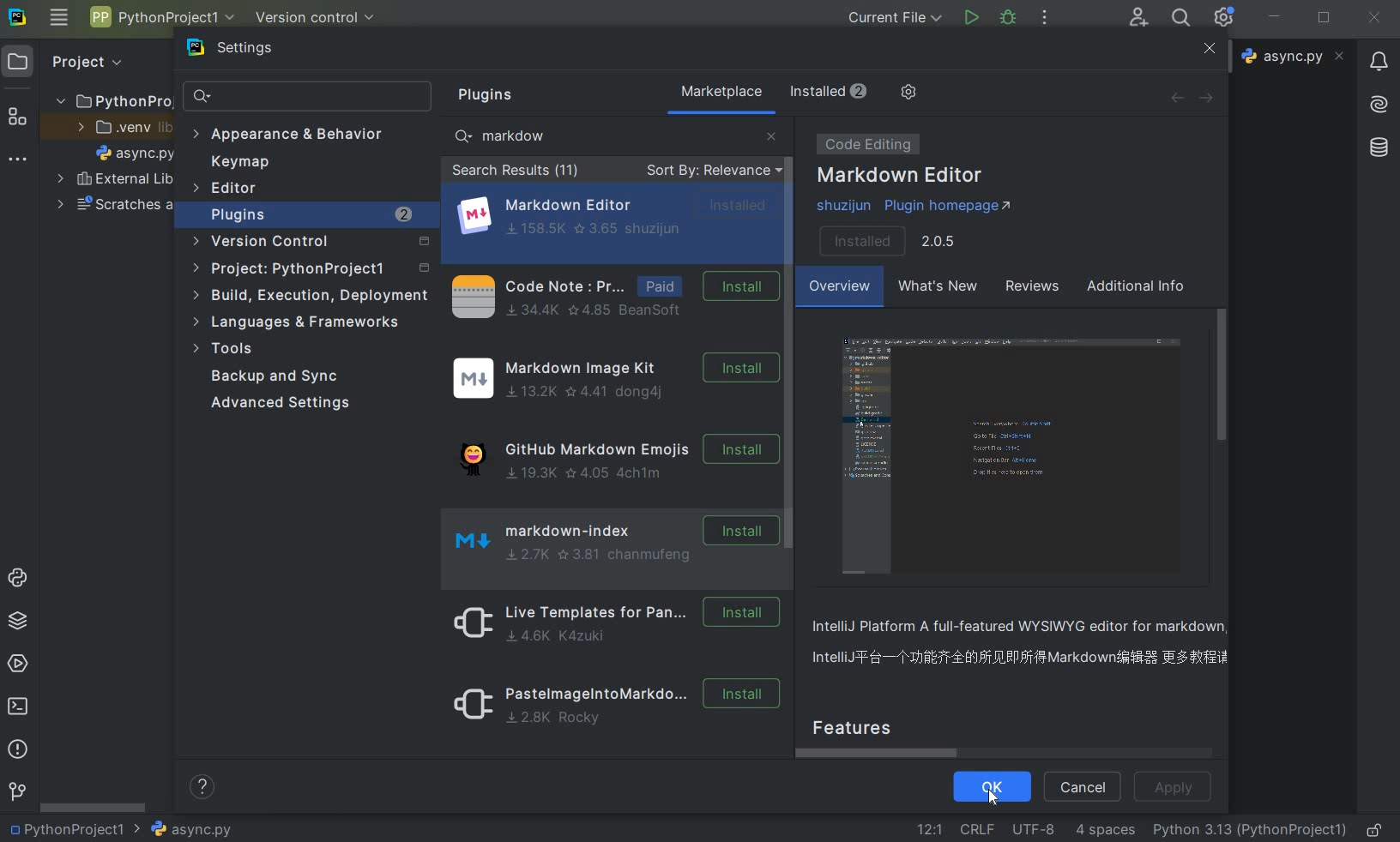 Image resolution: width=1400 pixels, height=842 pixels. I want to click on over iew, so click(841, 289).